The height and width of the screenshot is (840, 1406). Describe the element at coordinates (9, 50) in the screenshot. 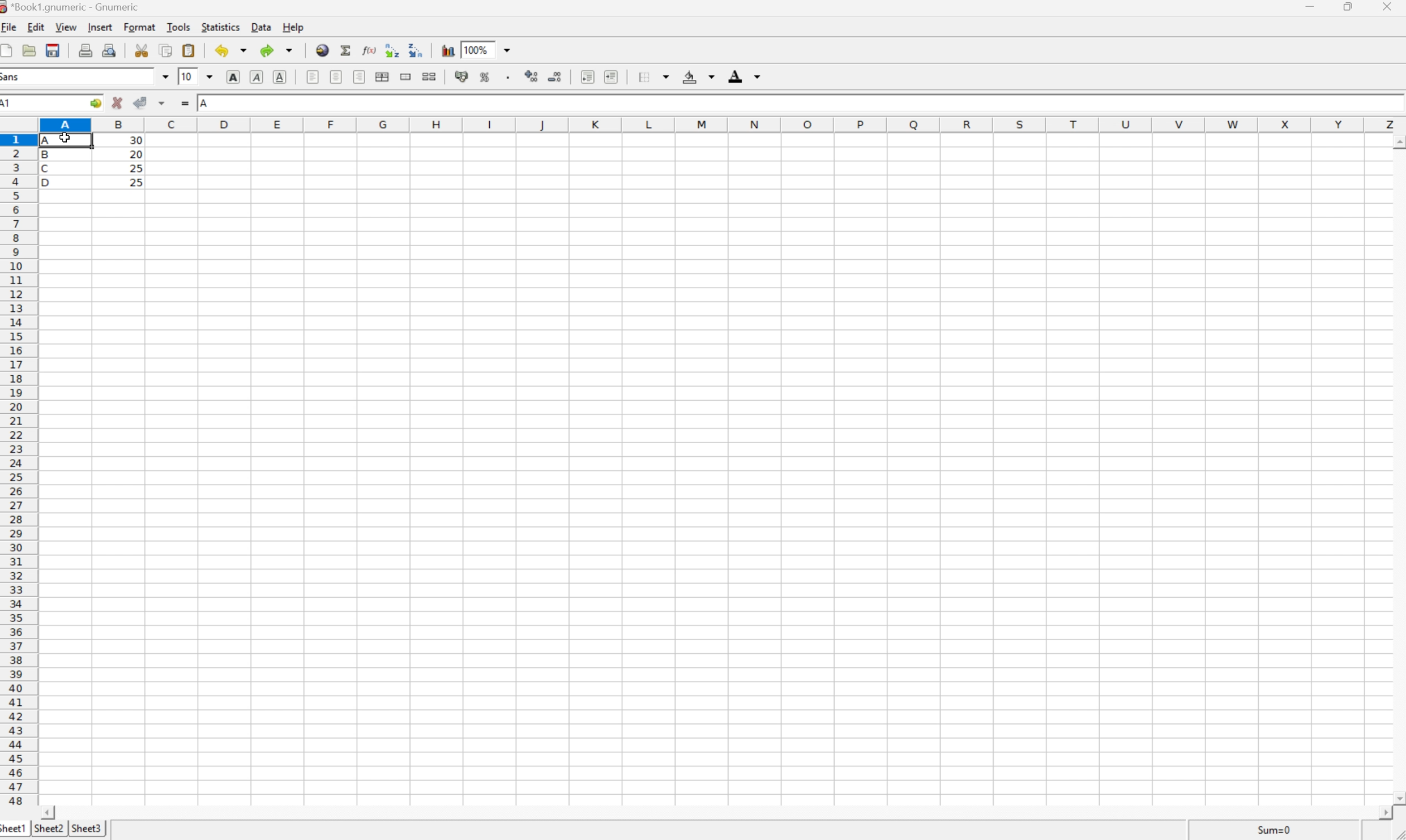

I see `Create a new workbook` at that location.